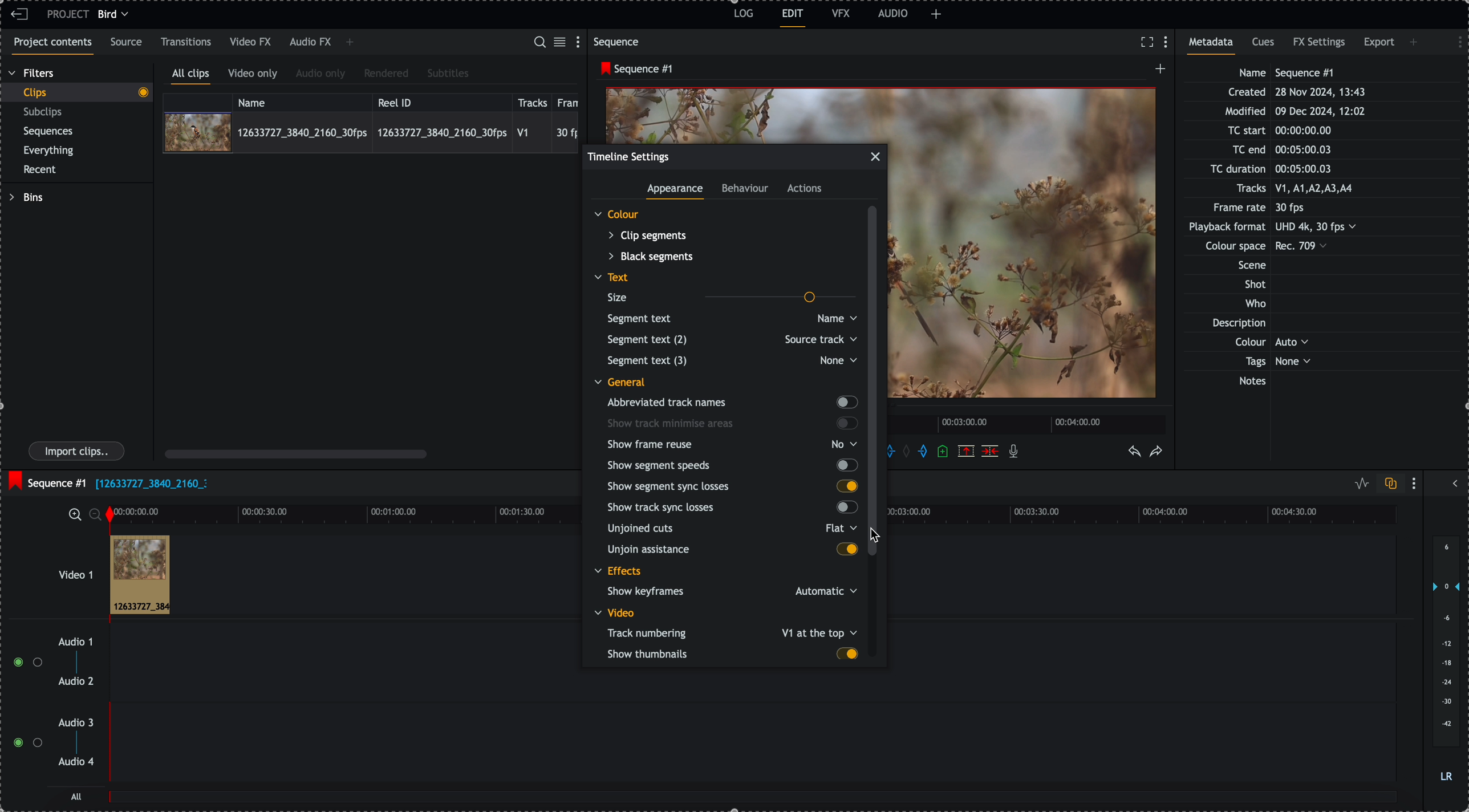 The width and height of the screenshot is (1469, 812). Describe the element at coordinates (731, 466) in the screenshot. I see `show segment speeds` at that location.